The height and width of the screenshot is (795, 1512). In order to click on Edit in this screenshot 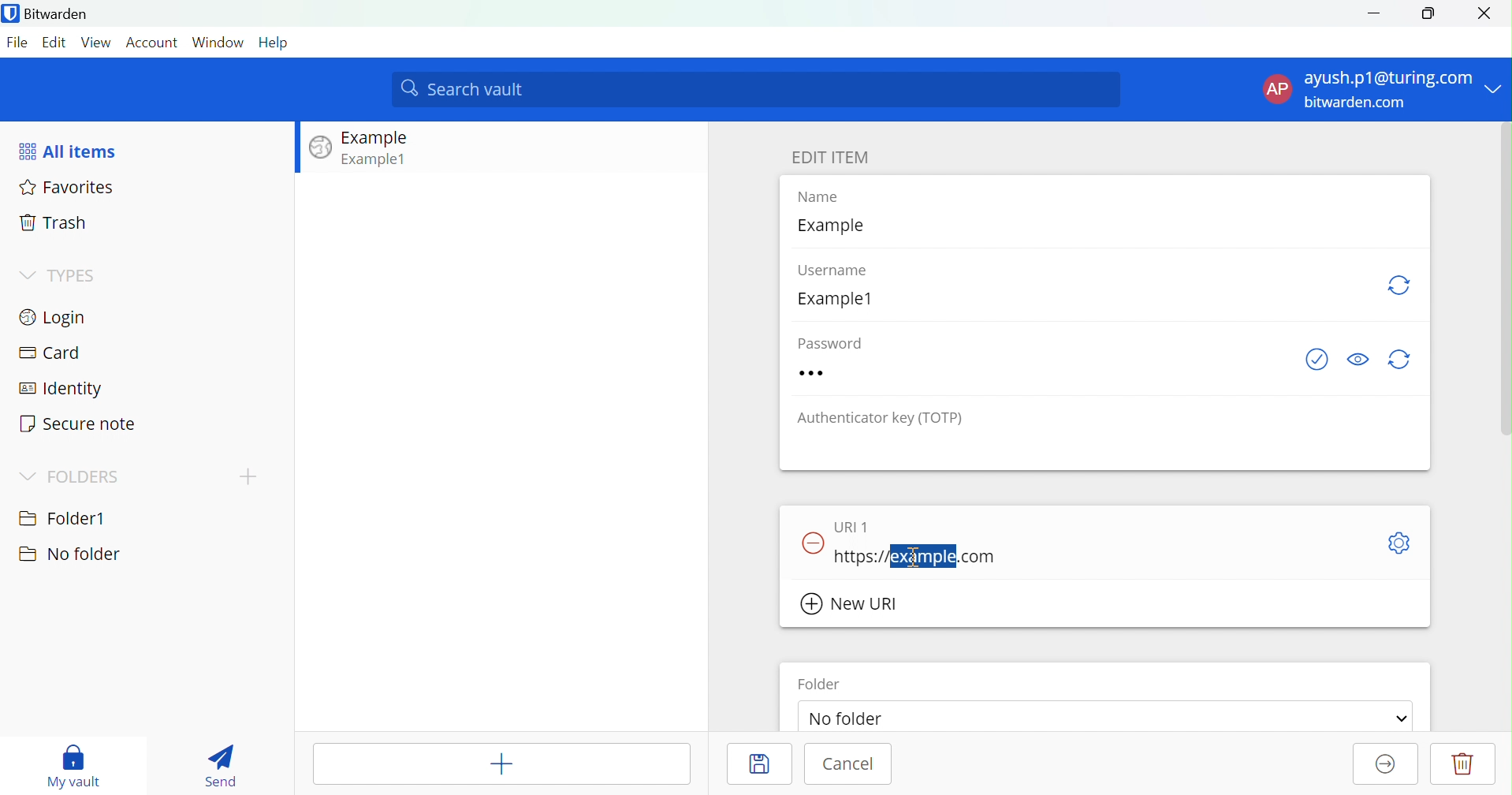, I will do `click(56, 42)`.